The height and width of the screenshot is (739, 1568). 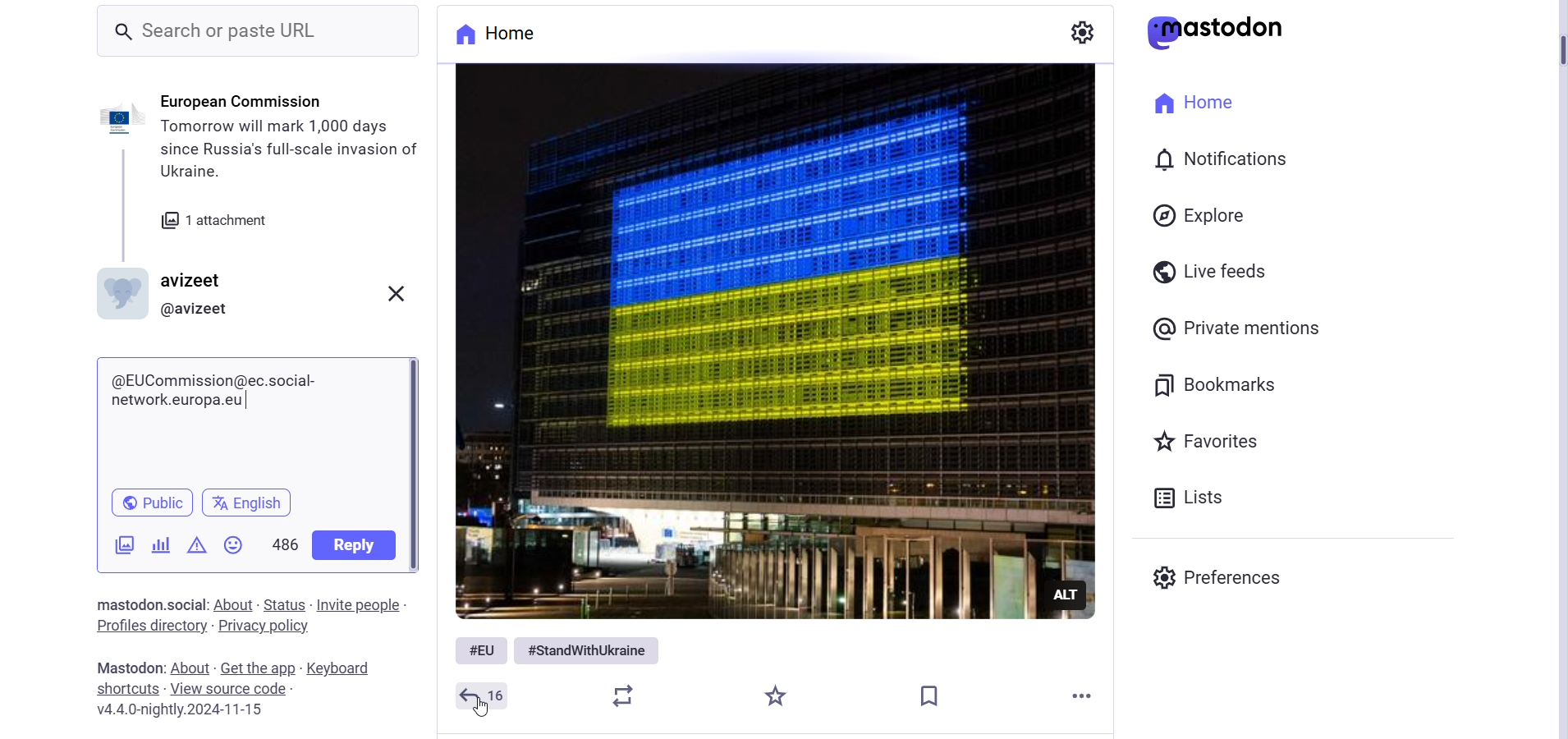 What do you see at coordinates (1086, 695) in the screenshot?
I see `More` at bounding box center [1086, 695].